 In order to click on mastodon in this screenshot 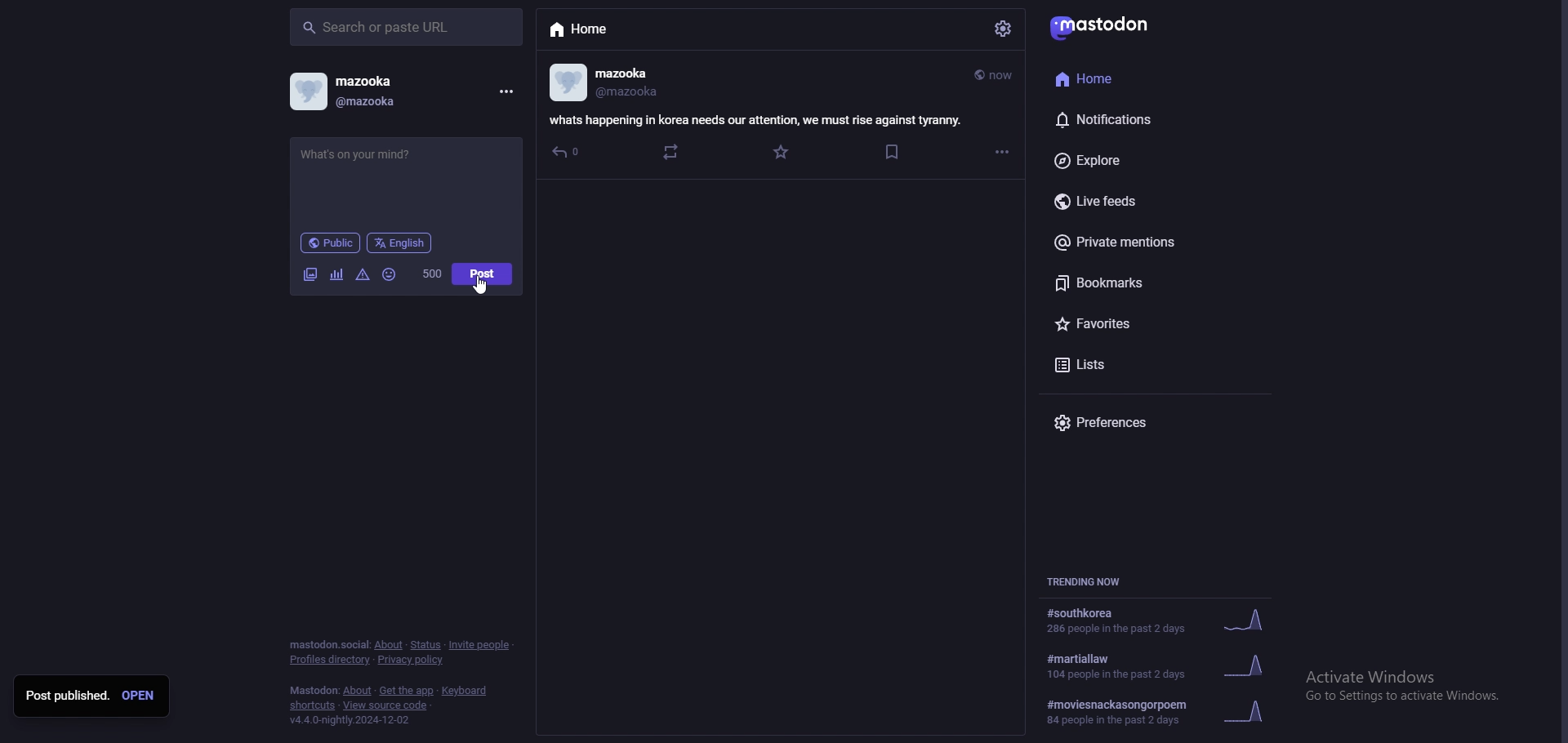, I will do `click(312, 691)`.